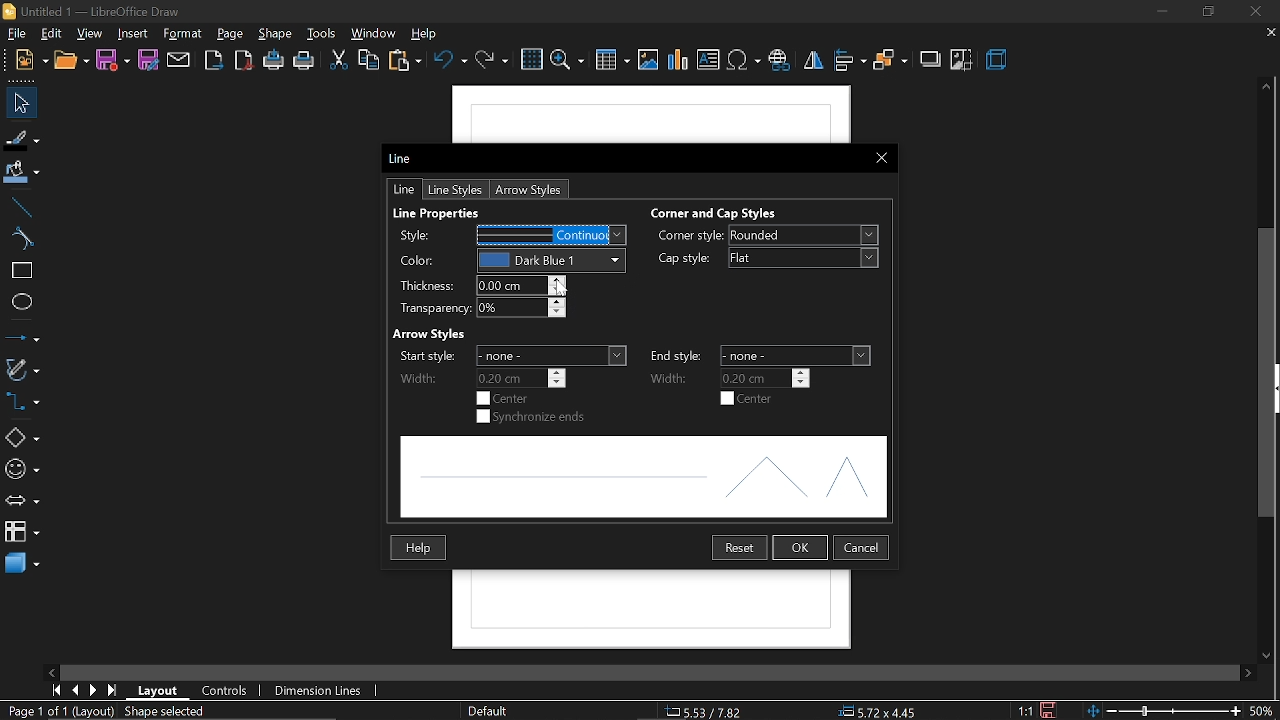 This screenshot has width=1280, height=720. Describe the element at coordinates (1270, 34) in the screenshot. I see `close tab` at that location.